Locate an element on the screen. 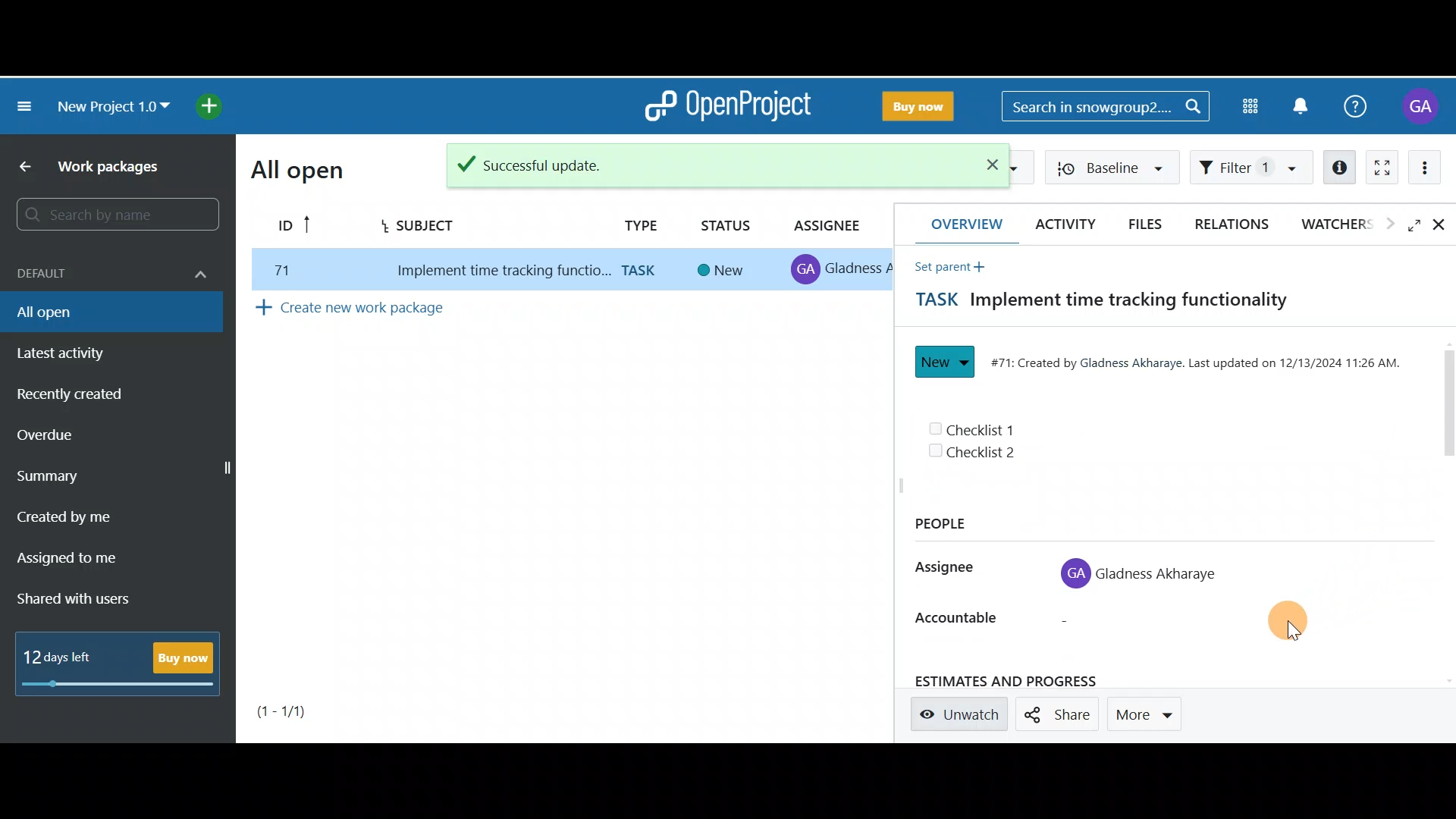 The width and height of the screenshot is (1456, 819). 77 is located at coordinates (278, 270).